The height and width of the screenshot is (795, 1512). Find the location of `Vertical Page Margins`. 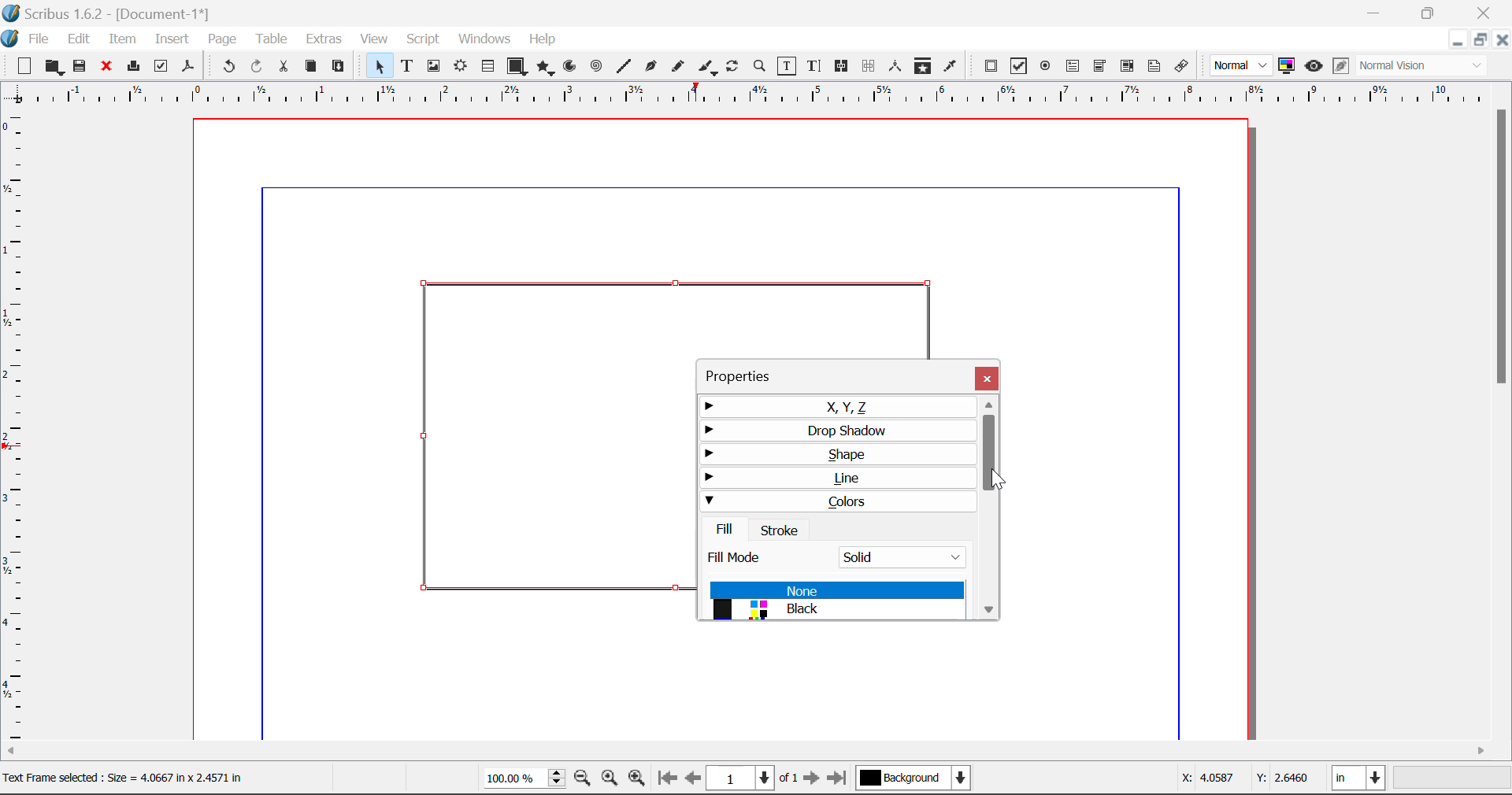

Vertical Page Margins is located at coordinates (764, 94).